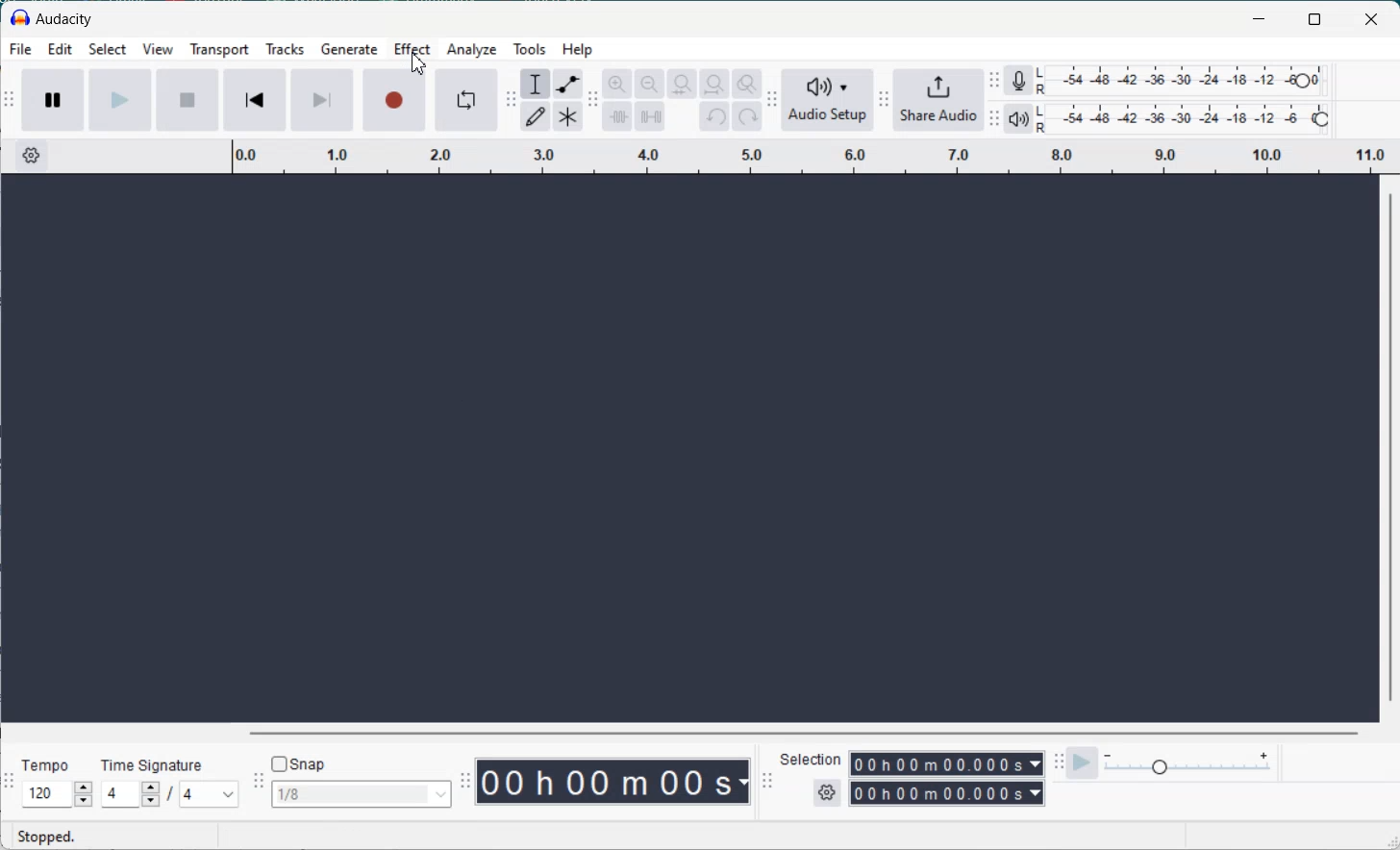 This screenshot has height=850, width=1400. I want to click on Generate, so click(349, 51).